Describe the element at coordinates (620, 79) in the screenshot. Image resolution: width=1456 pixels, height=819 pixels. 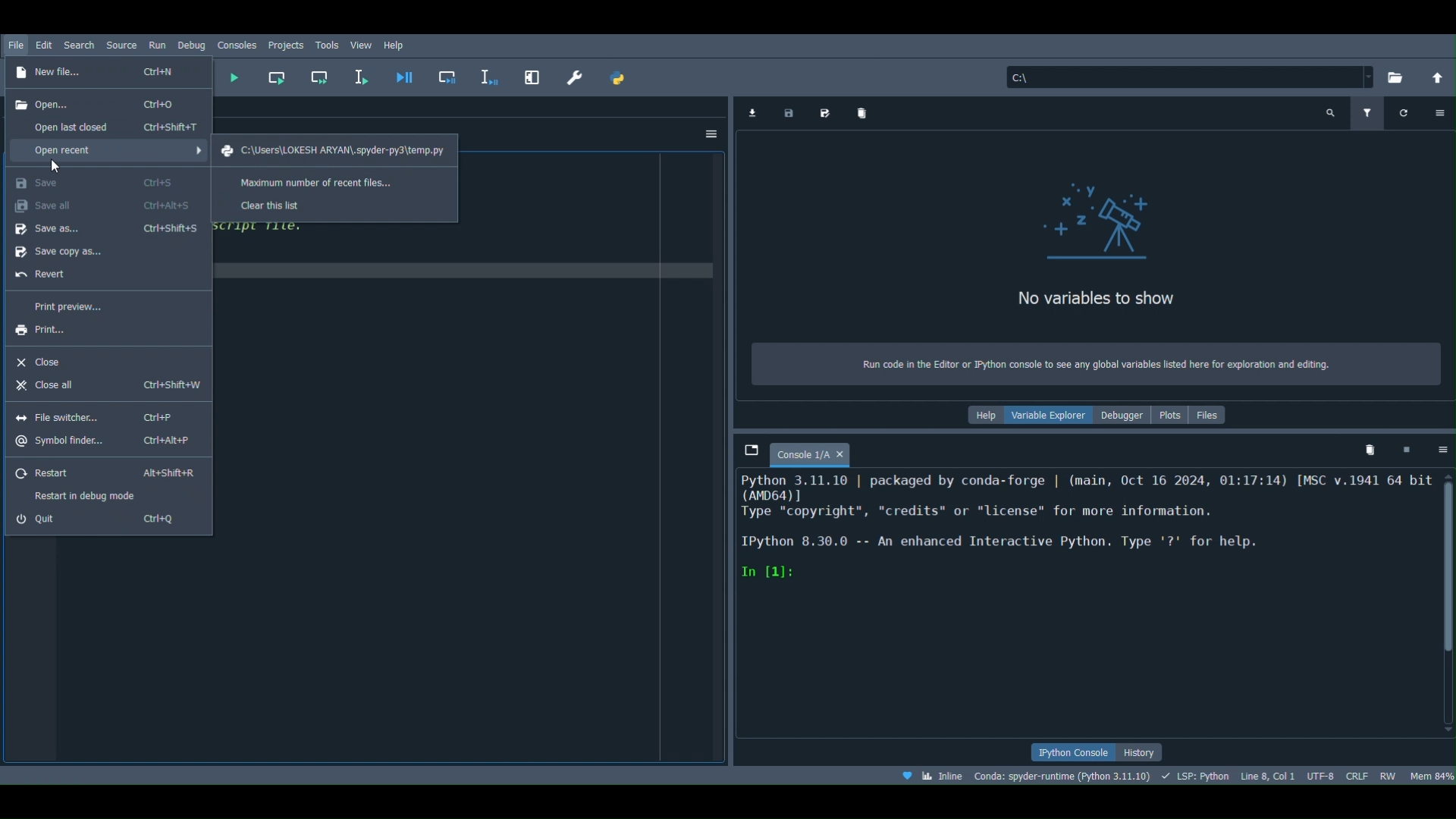
I see `PYTHONPATH manager` at that location.